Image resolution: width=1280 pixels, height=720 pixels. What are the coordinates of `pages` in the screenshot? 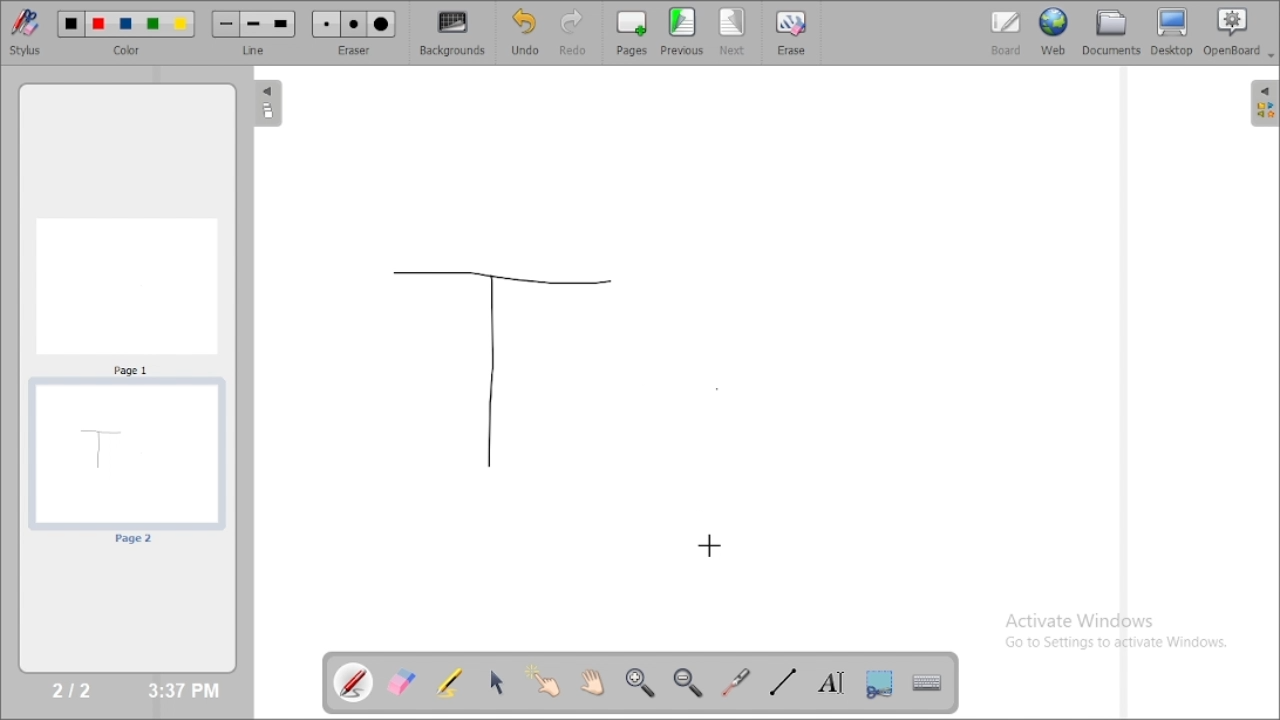 It's located at (632, 32).